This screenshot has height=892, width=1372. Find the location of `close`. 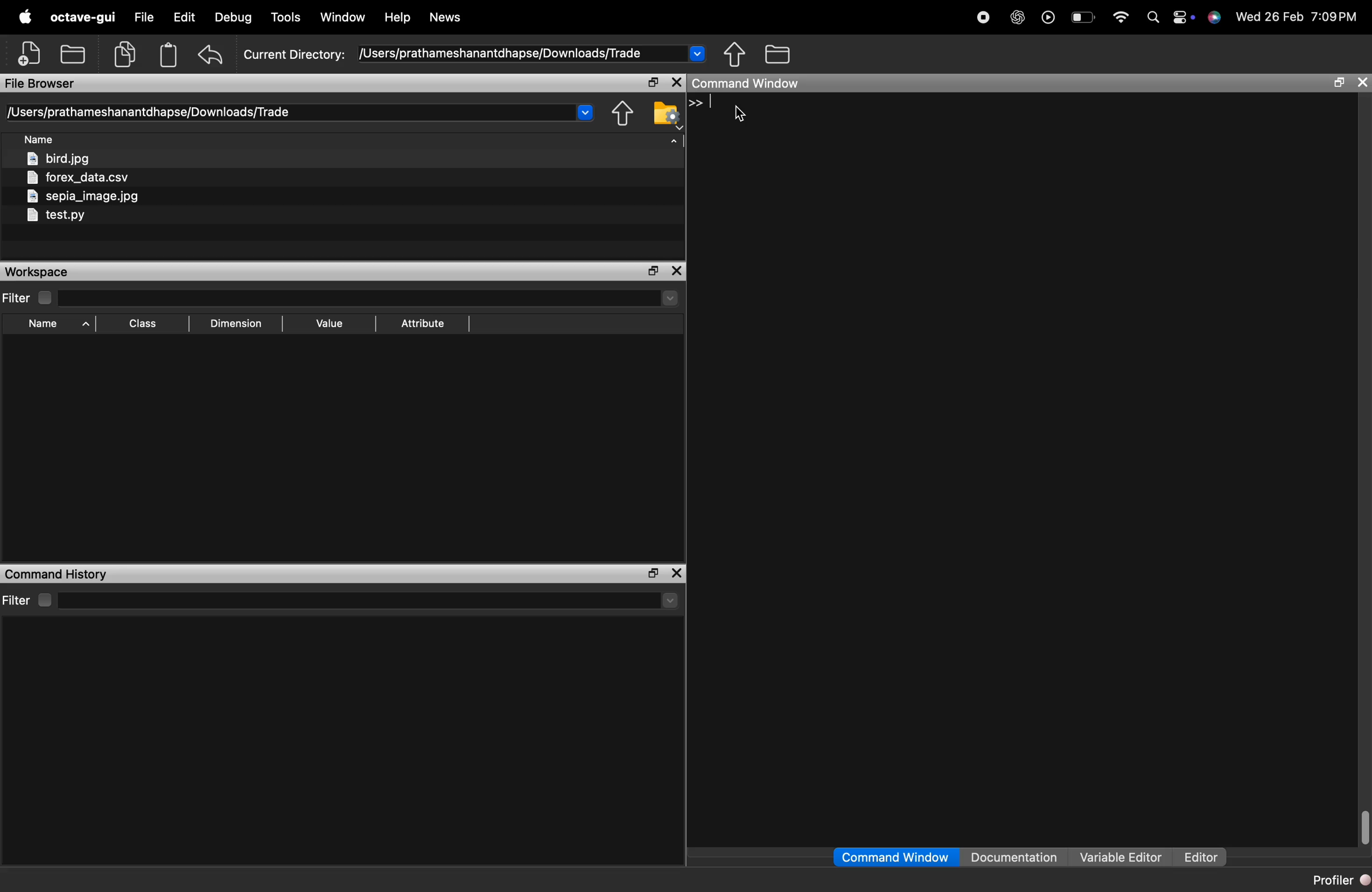

close is located at coordinates (1362, 83).